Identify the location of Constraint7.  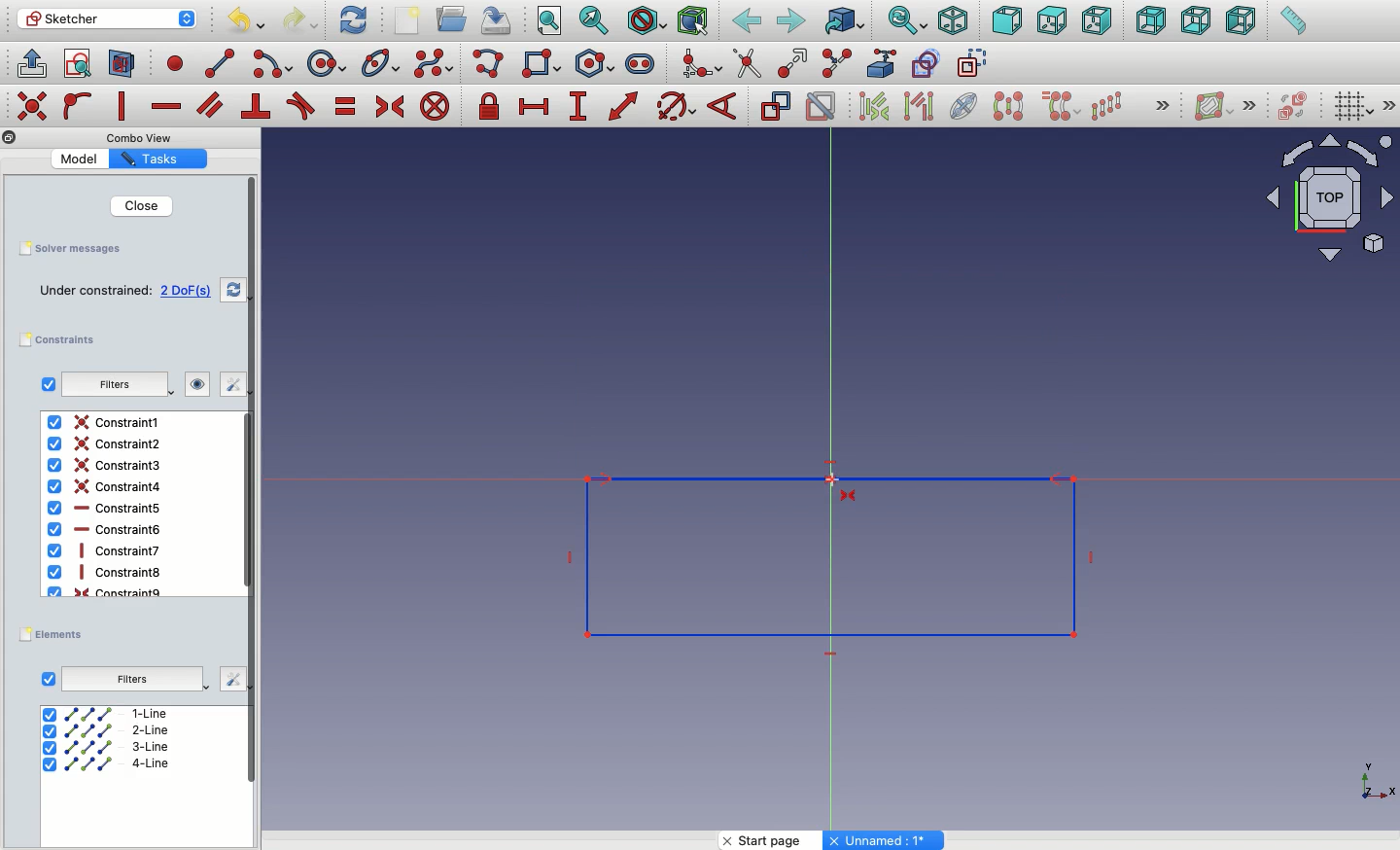
(105, 549).